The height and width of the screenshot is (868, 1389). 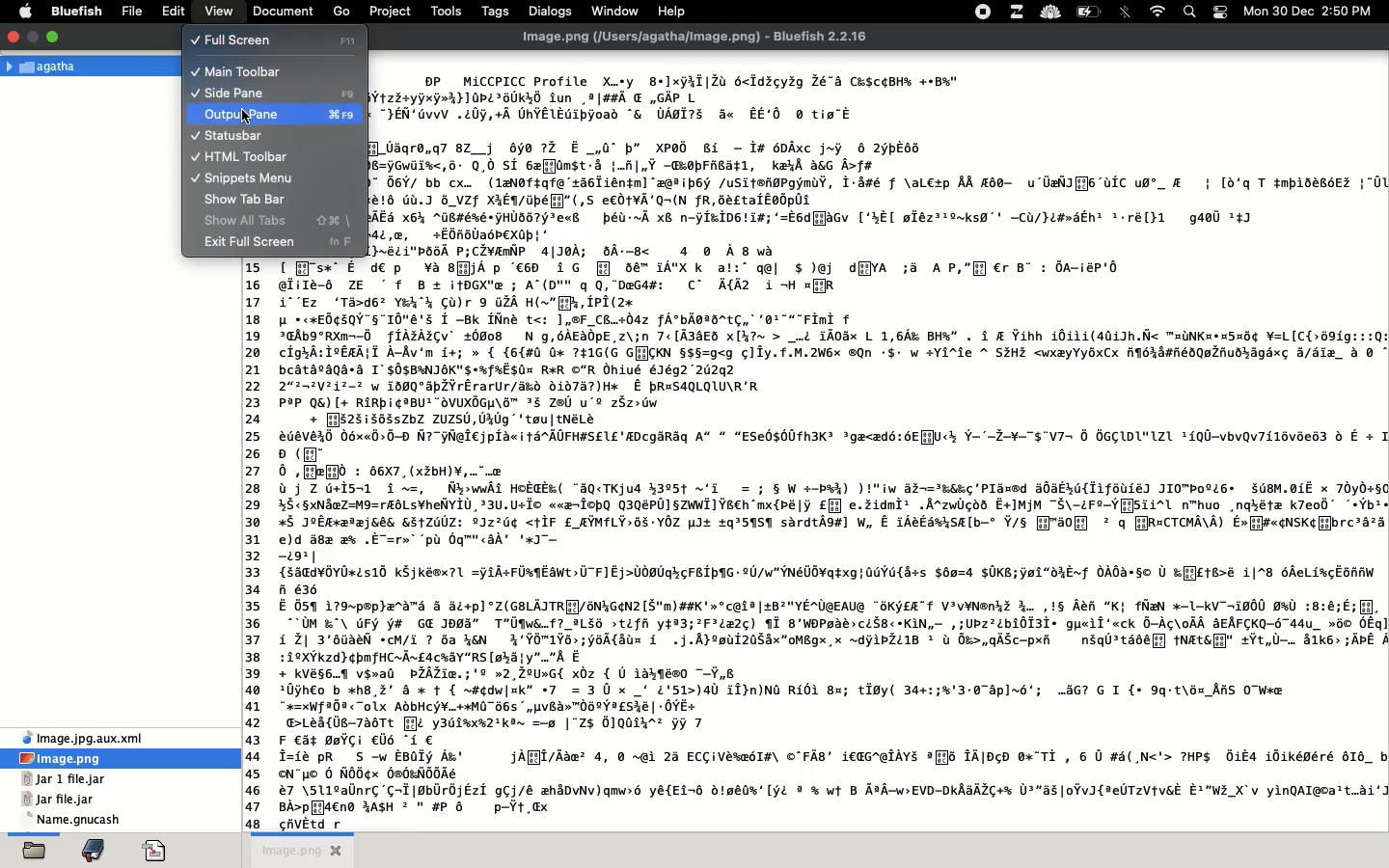 I want to click on side pane, so click(x=282, y=93).